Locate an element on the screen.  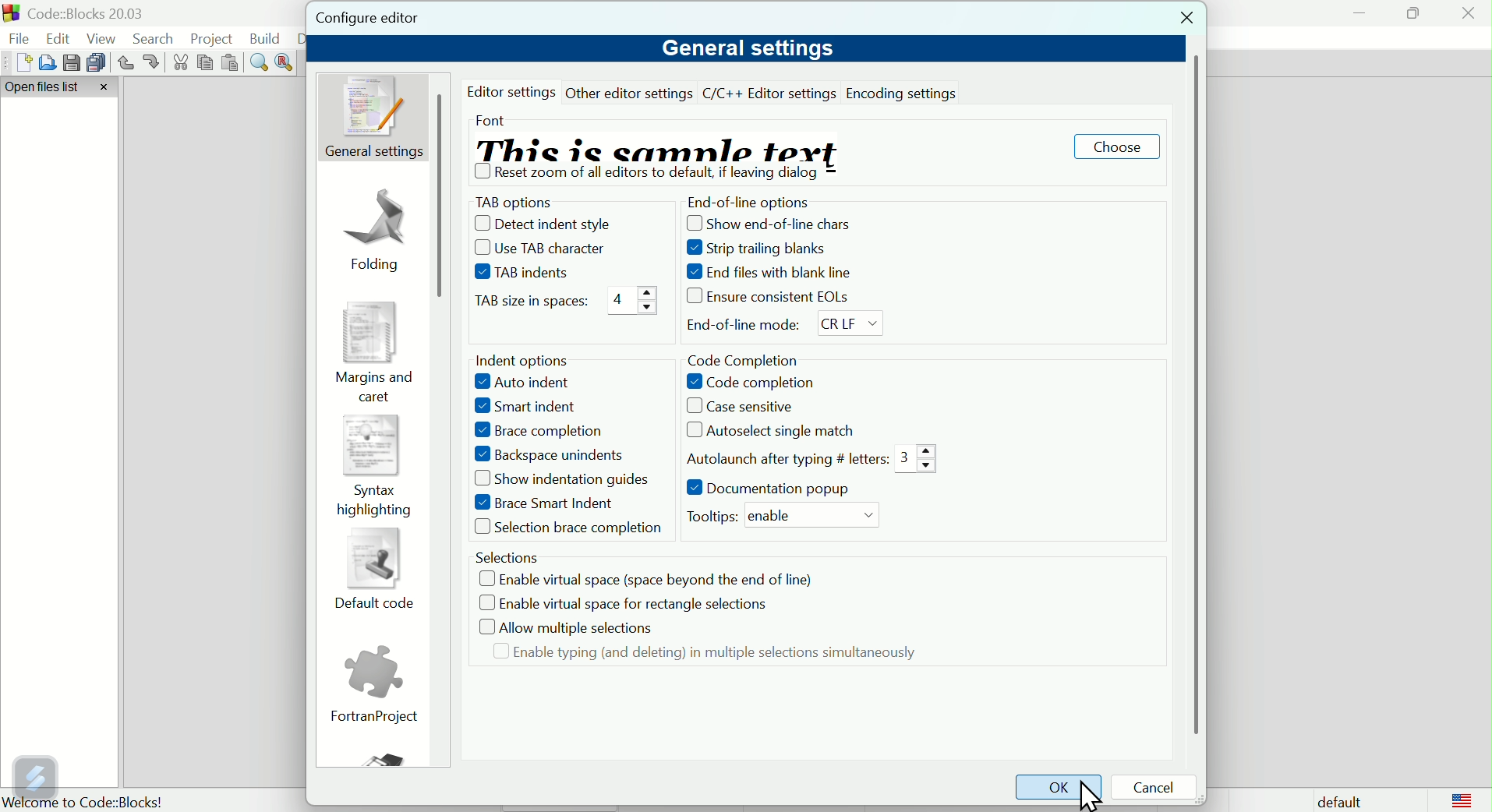
Use TAB character is located at coordinates (540, 248).